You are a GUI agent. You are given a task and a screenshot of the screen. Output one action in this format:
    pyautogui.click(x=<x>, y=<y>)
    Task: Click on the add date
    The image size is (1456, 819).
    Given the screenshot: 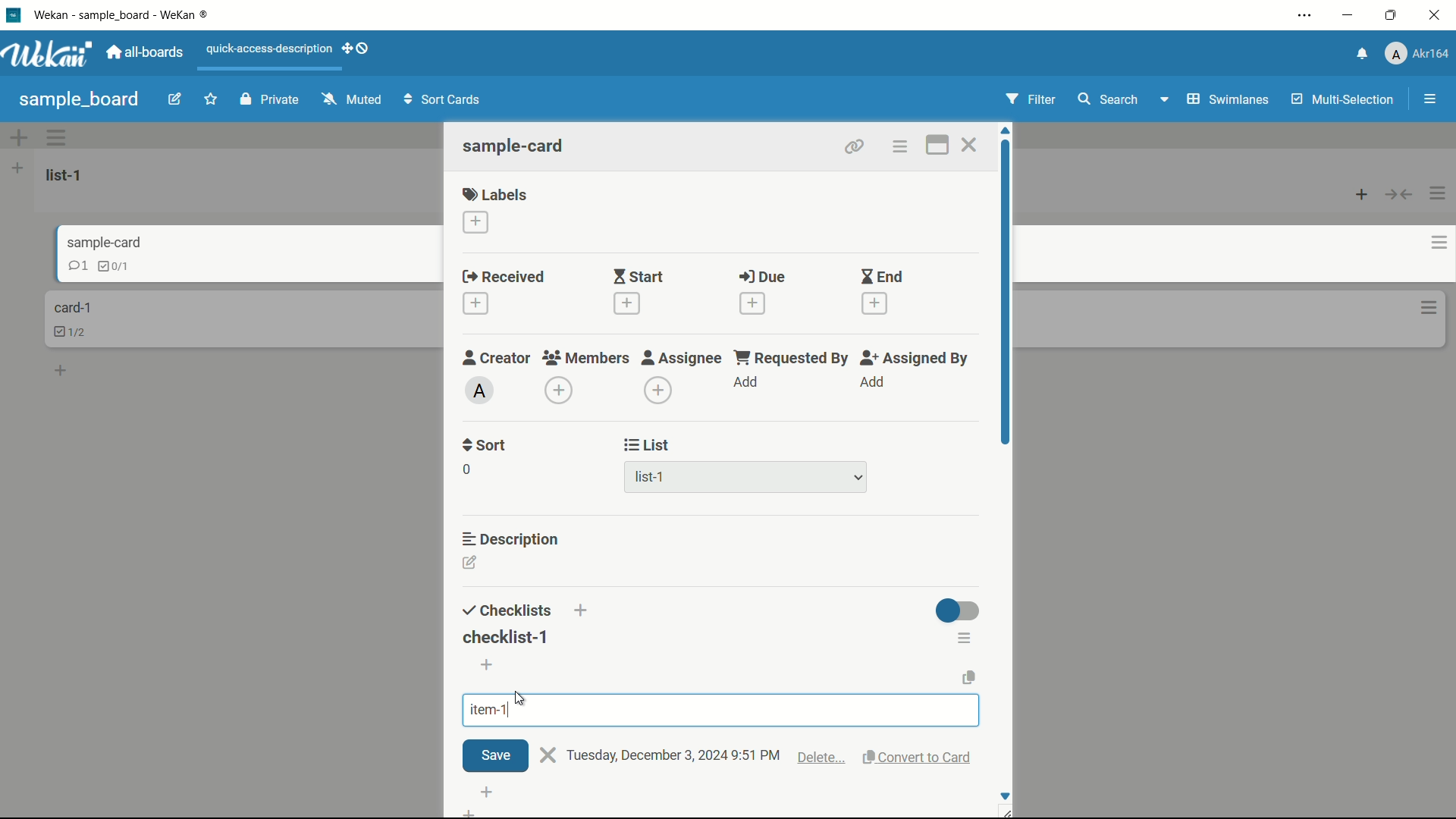 What is the action you would take?
    pyautogui.click(x=477, y=303)
    